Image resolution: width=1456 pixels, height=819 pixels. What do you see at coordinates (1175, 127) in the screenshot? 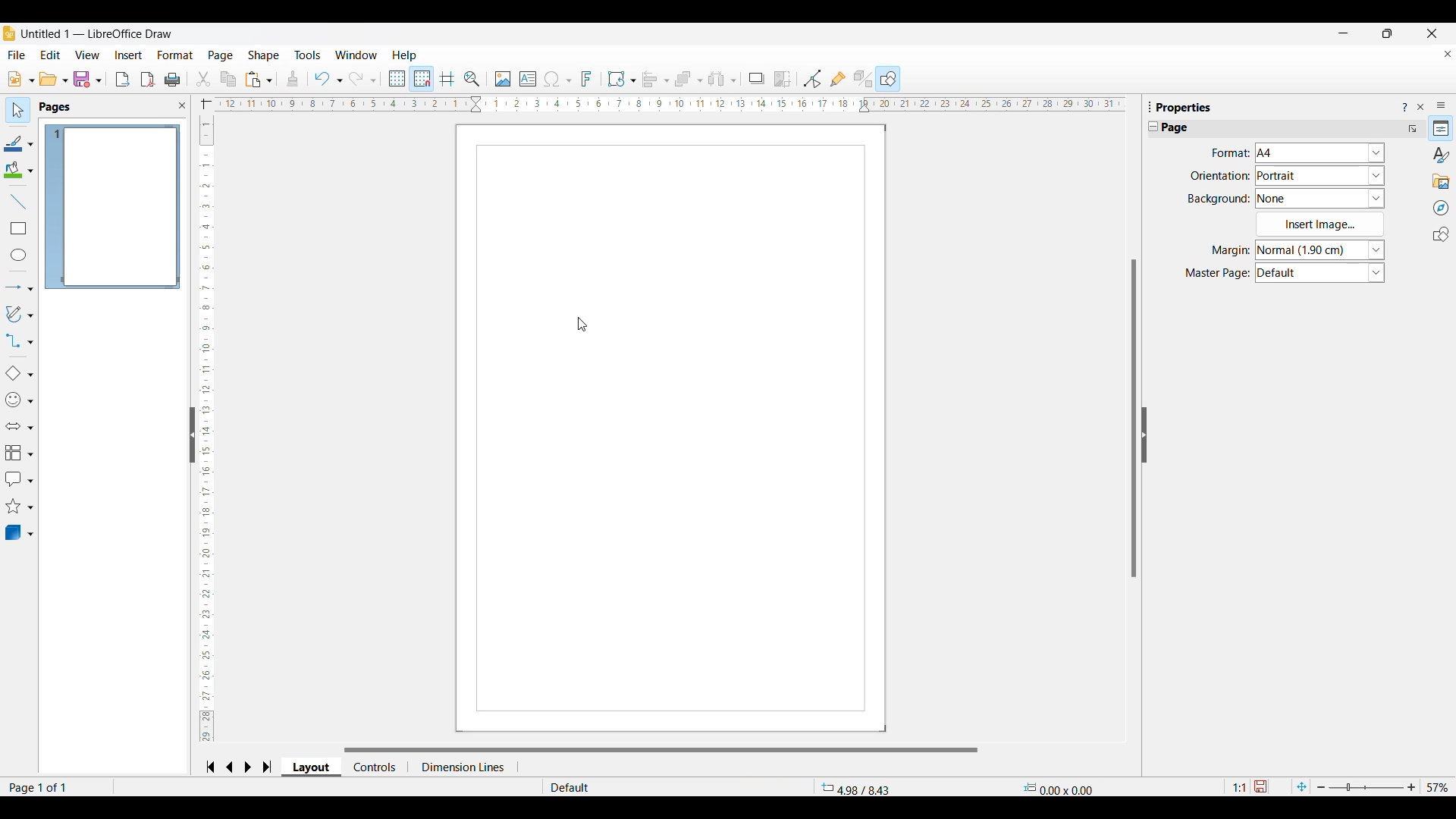
I see `Page, sub-title under current title` at bounding box center [1175, 127].